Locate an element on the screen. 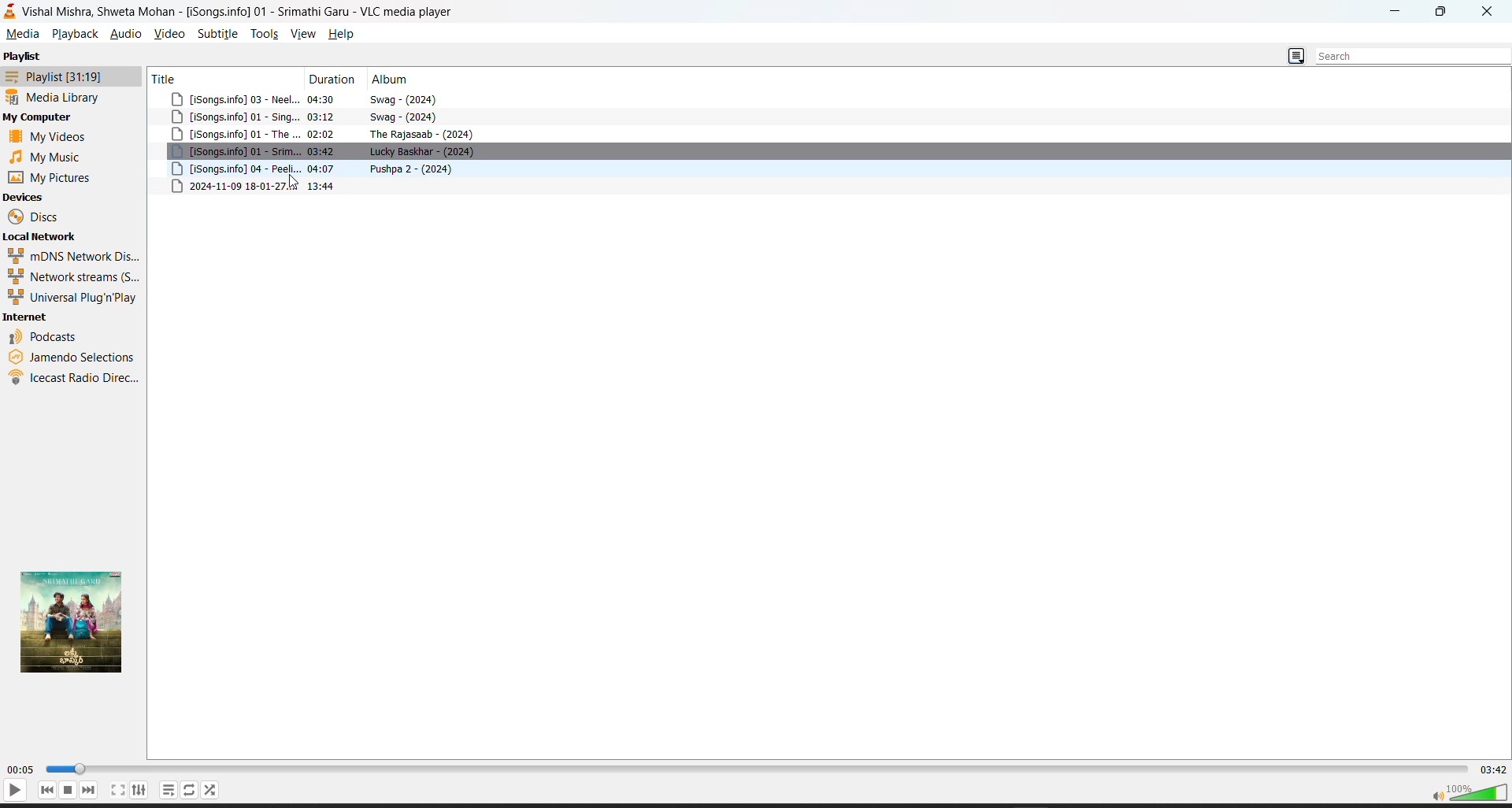  my videos is located at coordinates (50, 137).